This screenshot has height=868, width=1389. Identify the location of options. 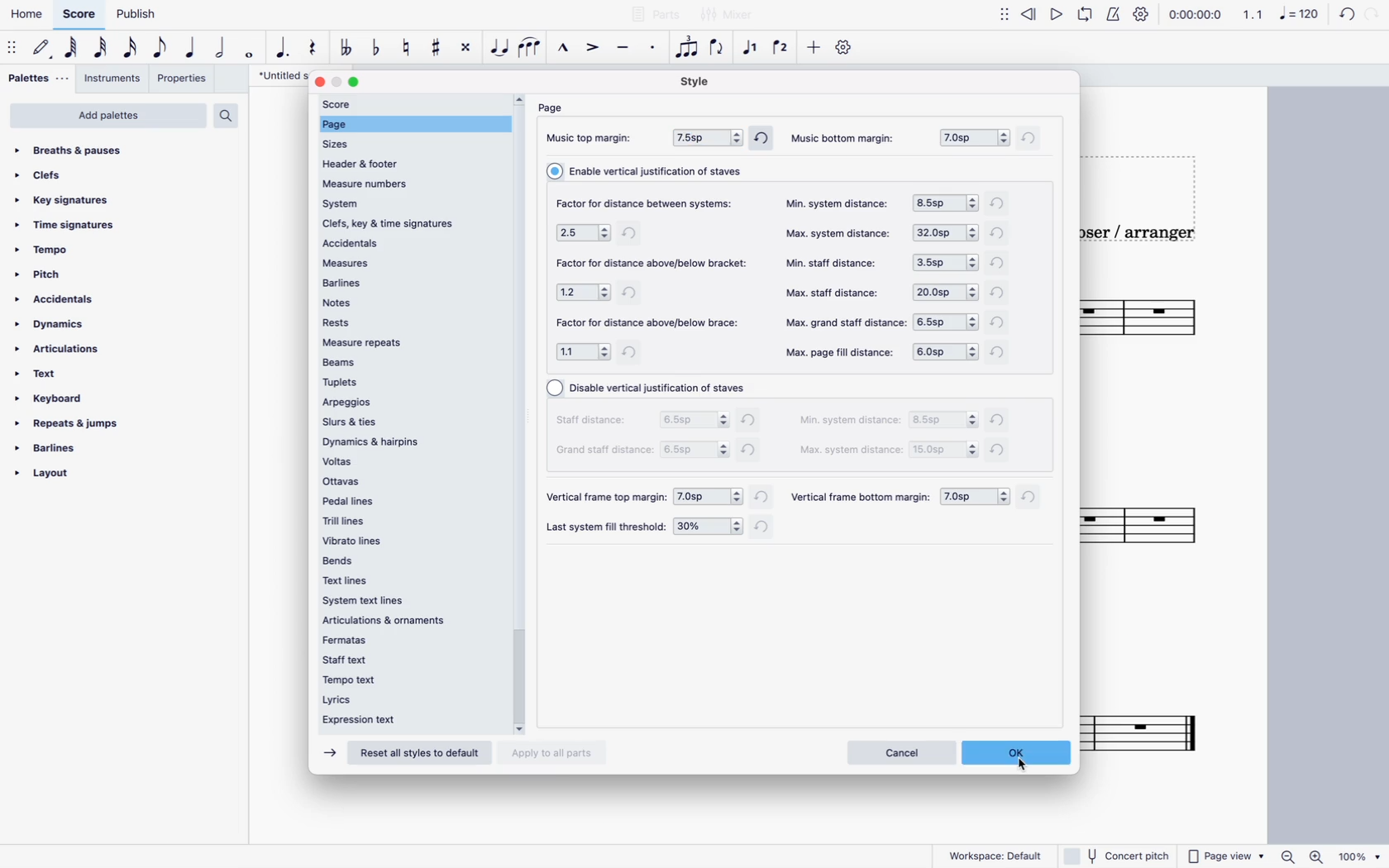
(944, 449).